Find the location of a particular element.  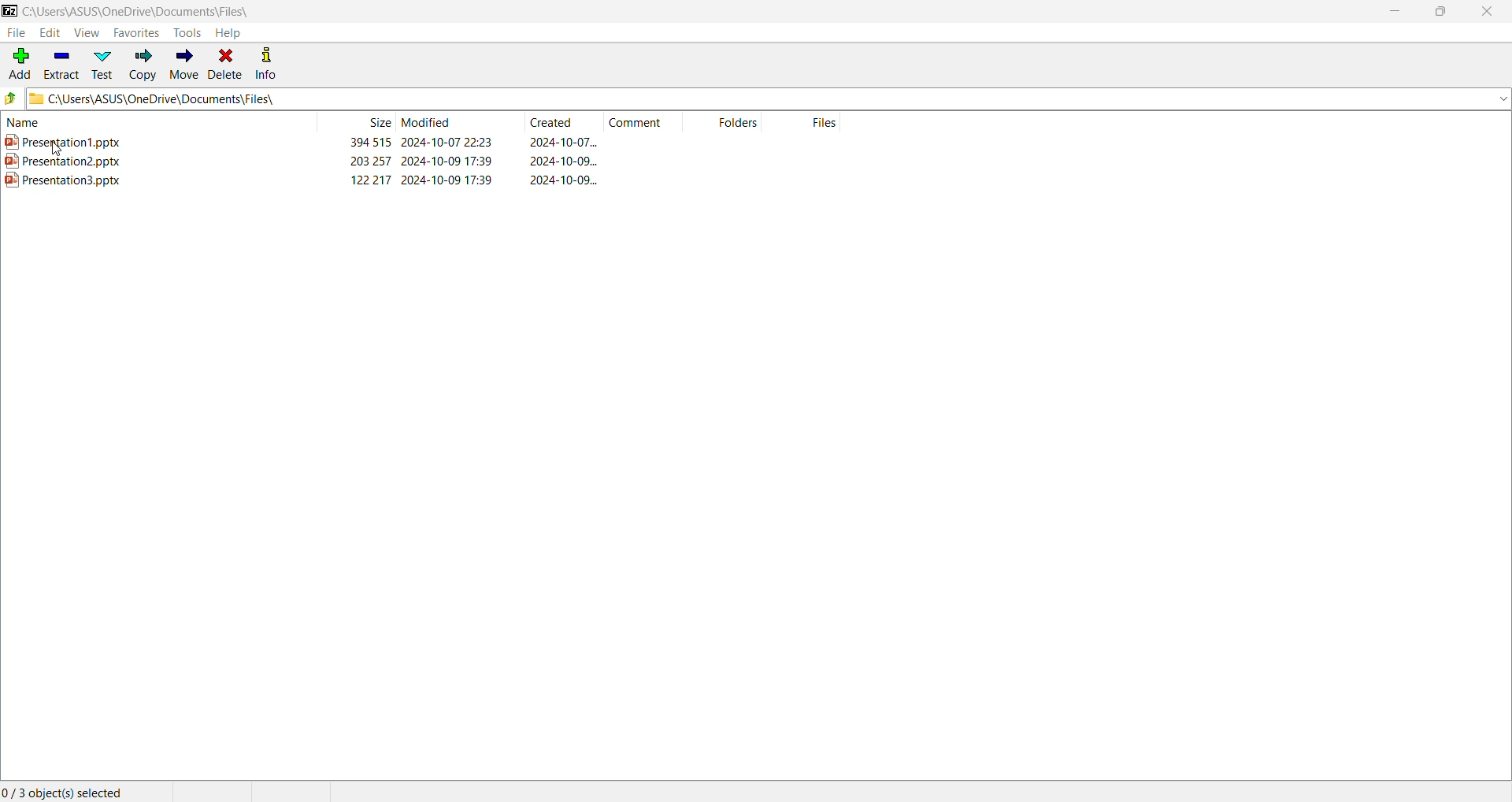

Application Logo is located at coordinates (9, 10).